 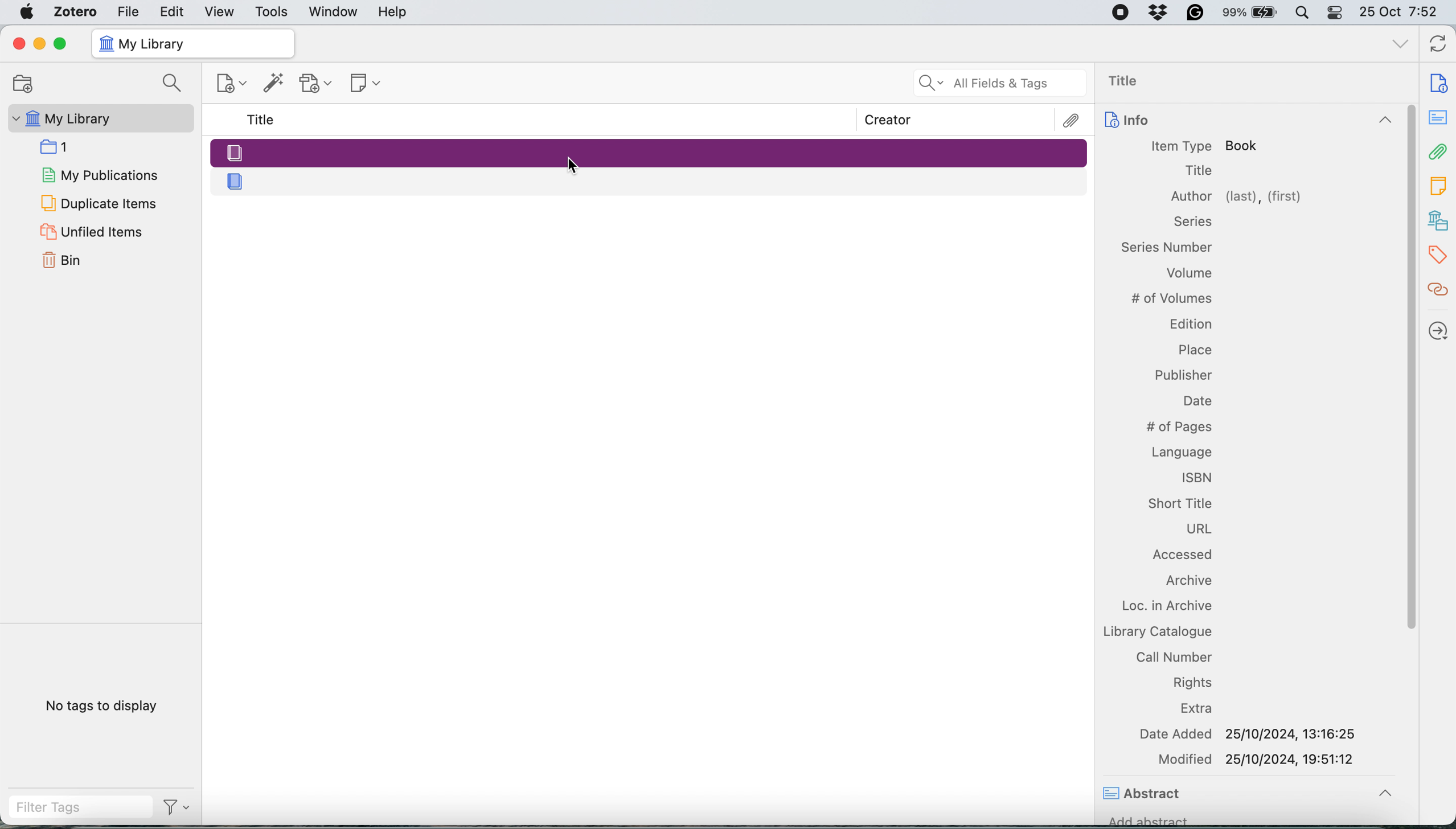 What do you see at coordinates (1196, 401) in the screenshot?
I see `Date` at bounding box center [1196, 401].